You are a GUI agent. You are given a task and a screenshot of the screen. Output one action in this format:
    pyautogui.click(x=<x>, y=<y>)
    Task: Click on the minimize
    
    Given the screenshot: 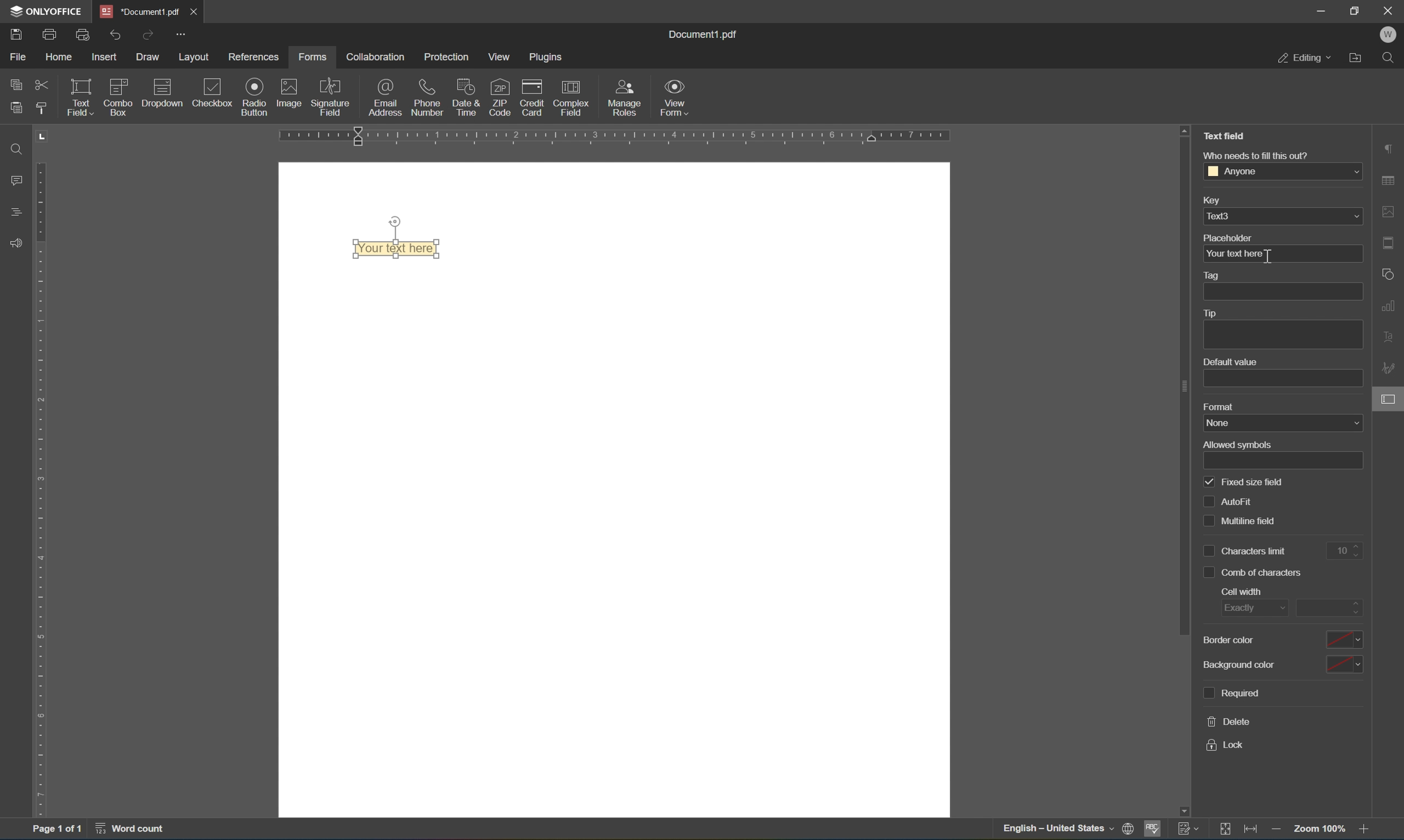 What is the action you would take?
    pyautogui.click(x=1320, y=10)
    